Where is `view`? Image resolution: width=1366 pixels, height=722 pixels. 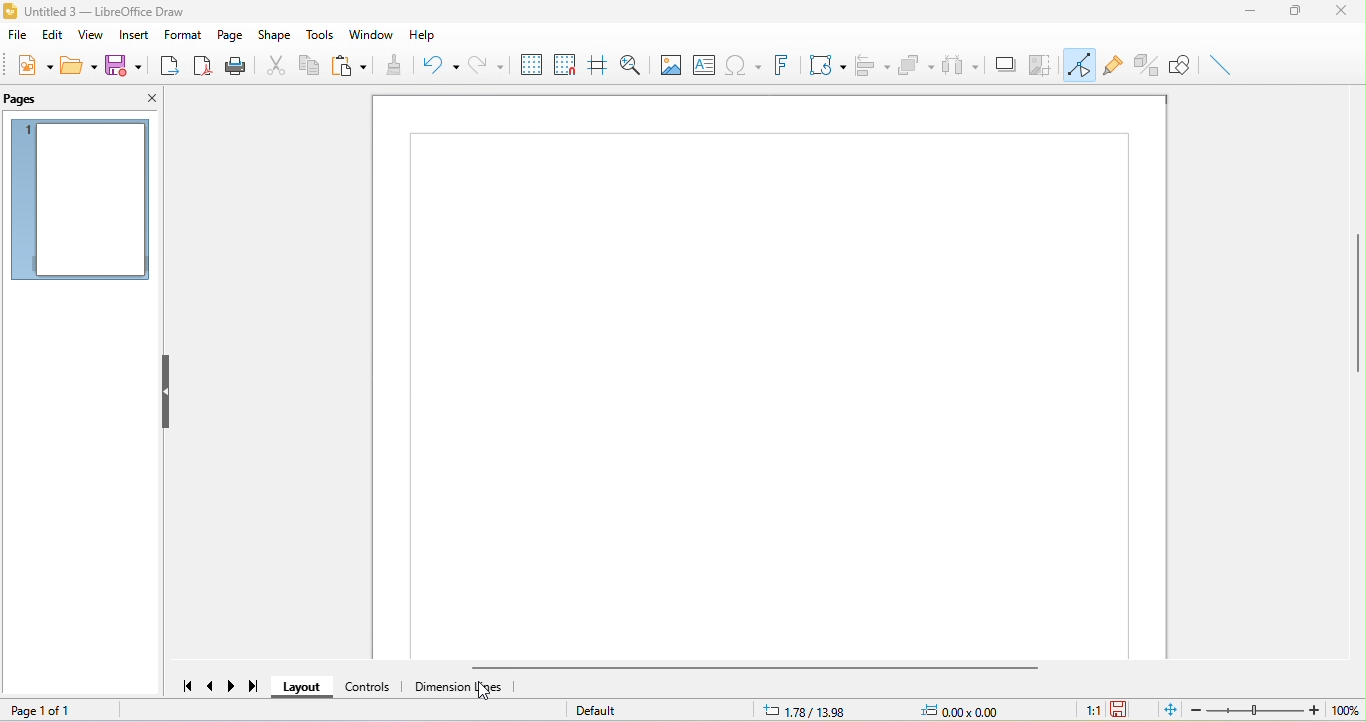
view is located at coordinates (89, 35).